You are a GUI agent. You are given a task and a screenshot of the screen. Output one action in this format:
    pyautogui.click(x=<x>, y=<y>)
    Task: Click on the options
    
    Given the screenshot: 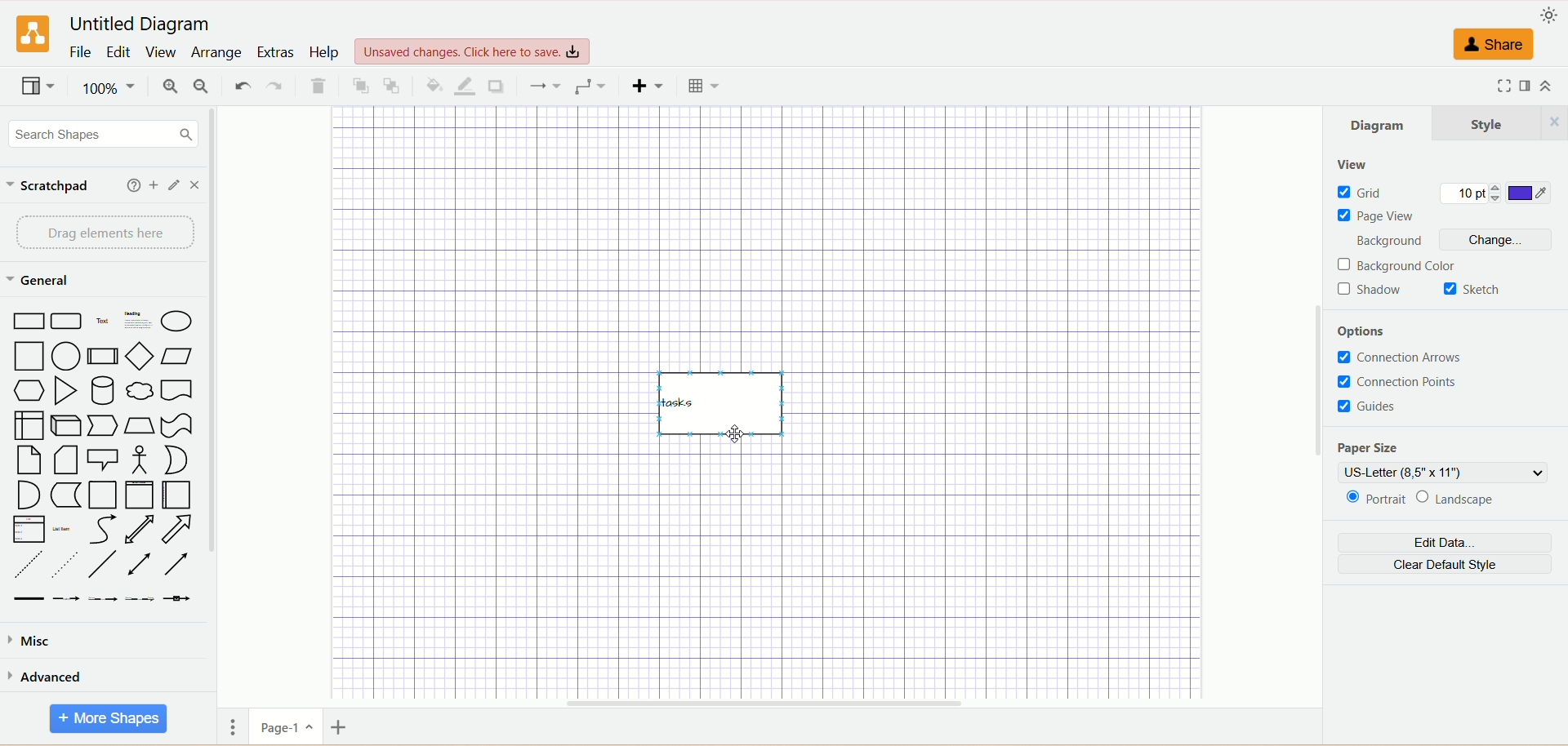 What is the action you would take?
    pyautogui.click(x=1368, y=332)
    